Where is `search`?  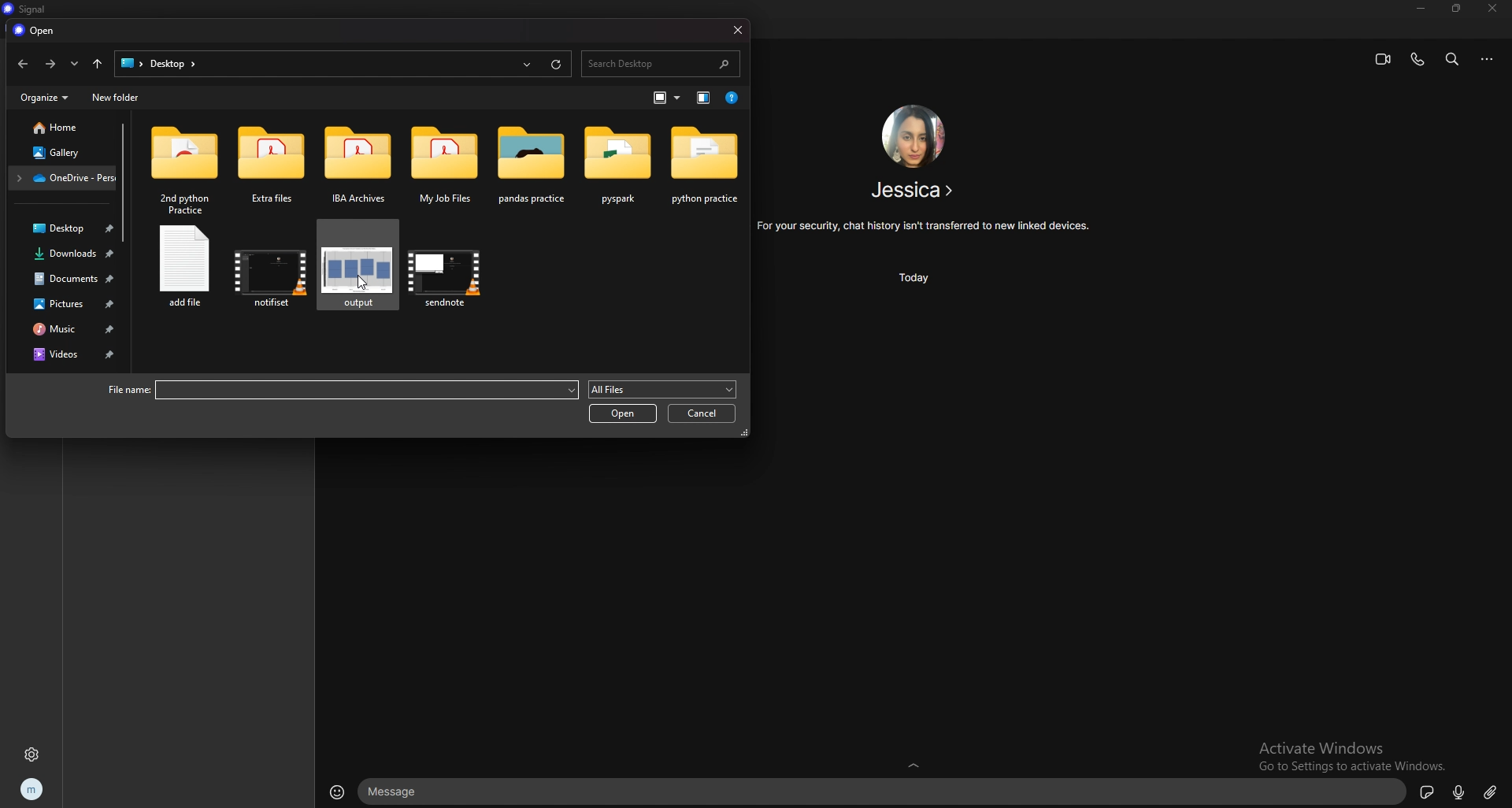 search is located at coordinates (661, 65).